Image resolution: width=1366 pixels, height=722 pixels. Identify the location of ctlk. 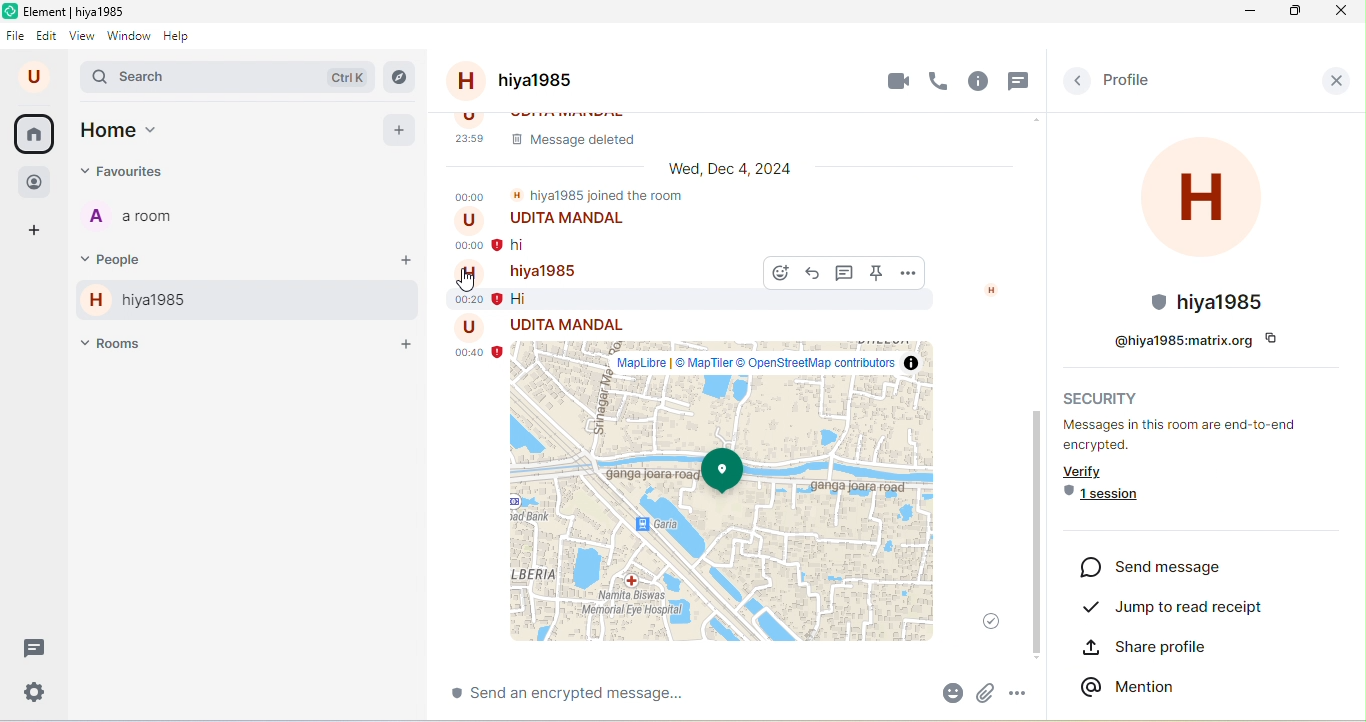
(346, 76).